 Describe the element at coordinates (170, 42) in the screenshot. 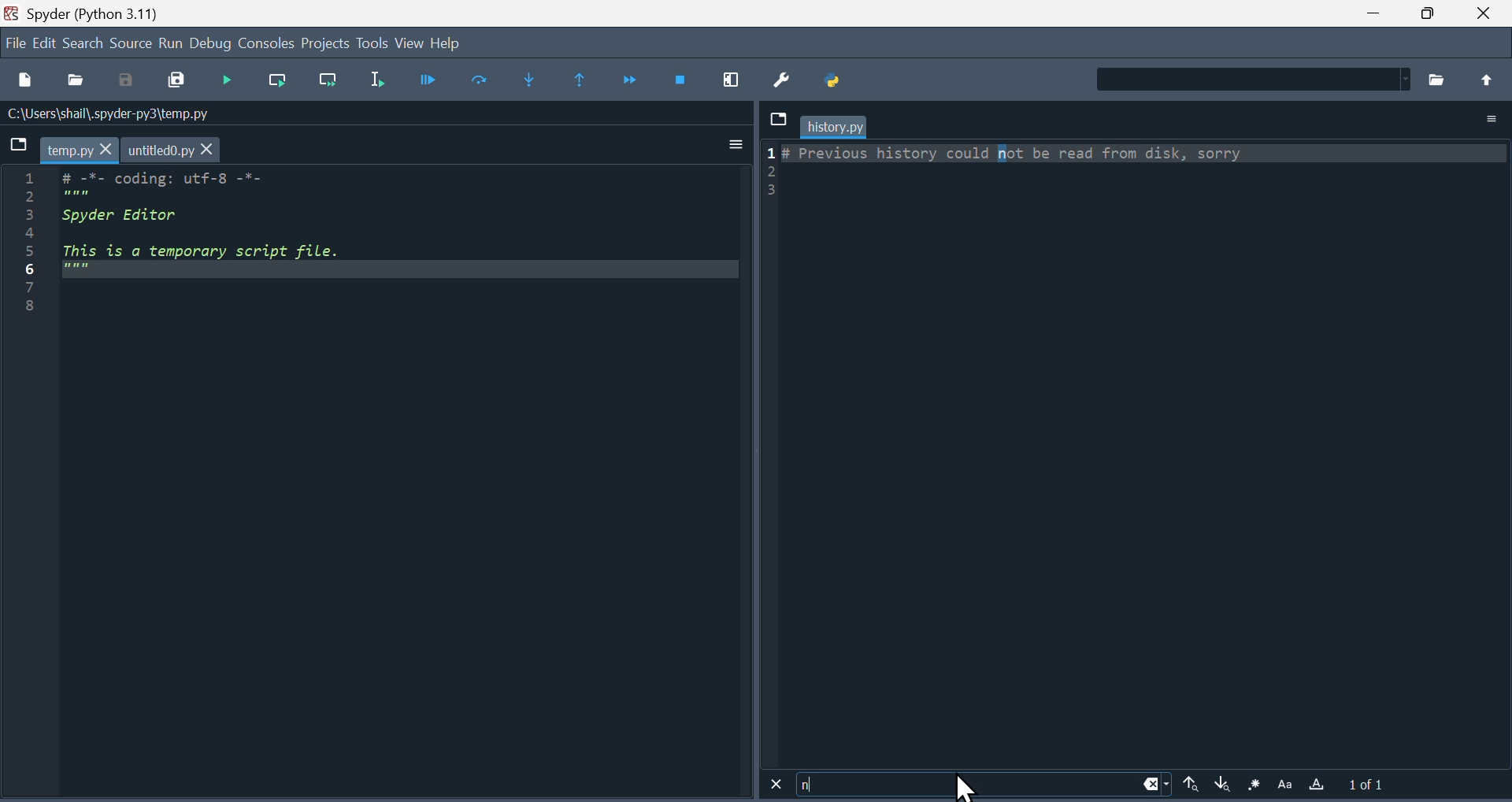

I see `run` at that location.